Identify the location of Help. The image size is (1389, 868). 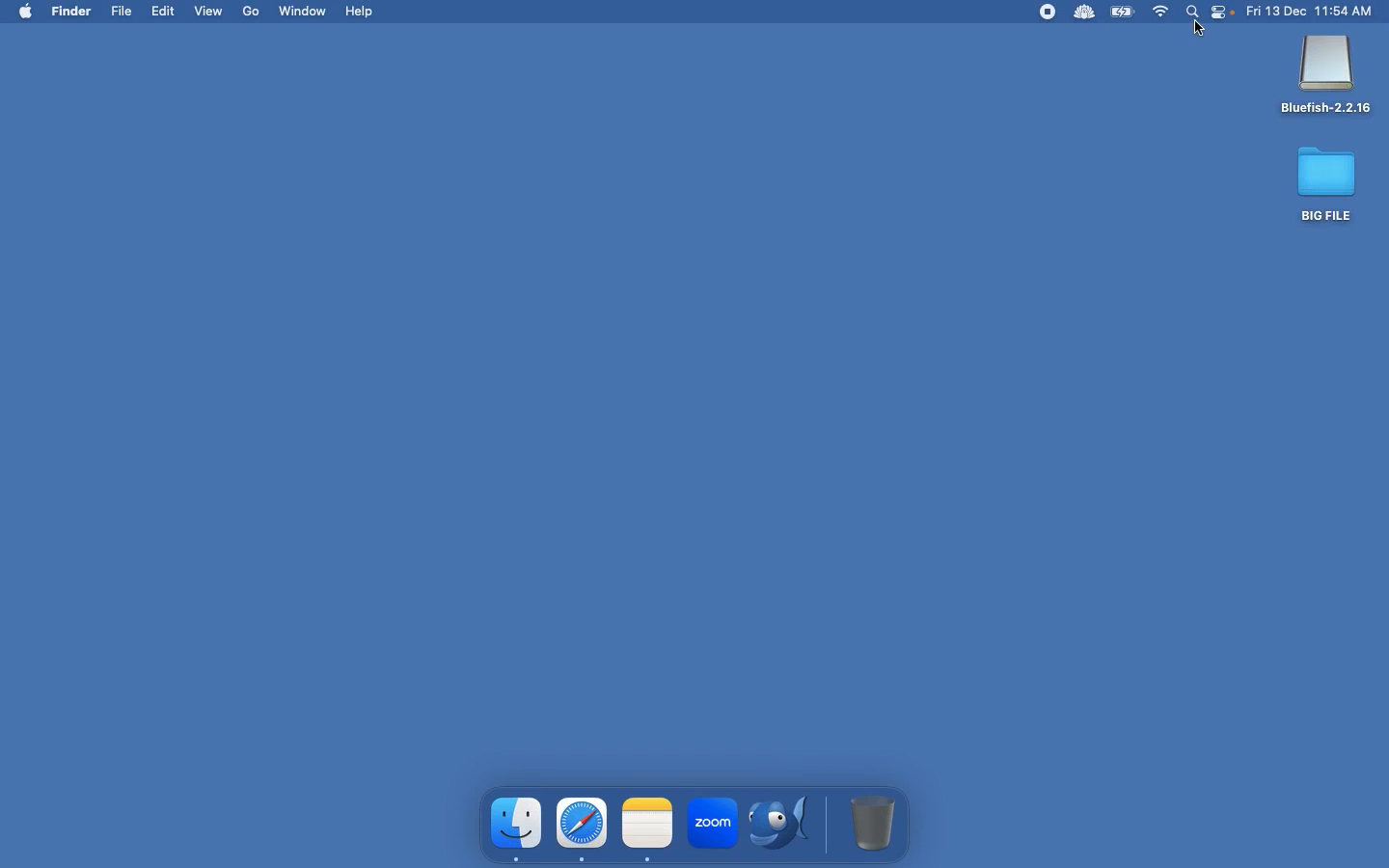
(361, 11).